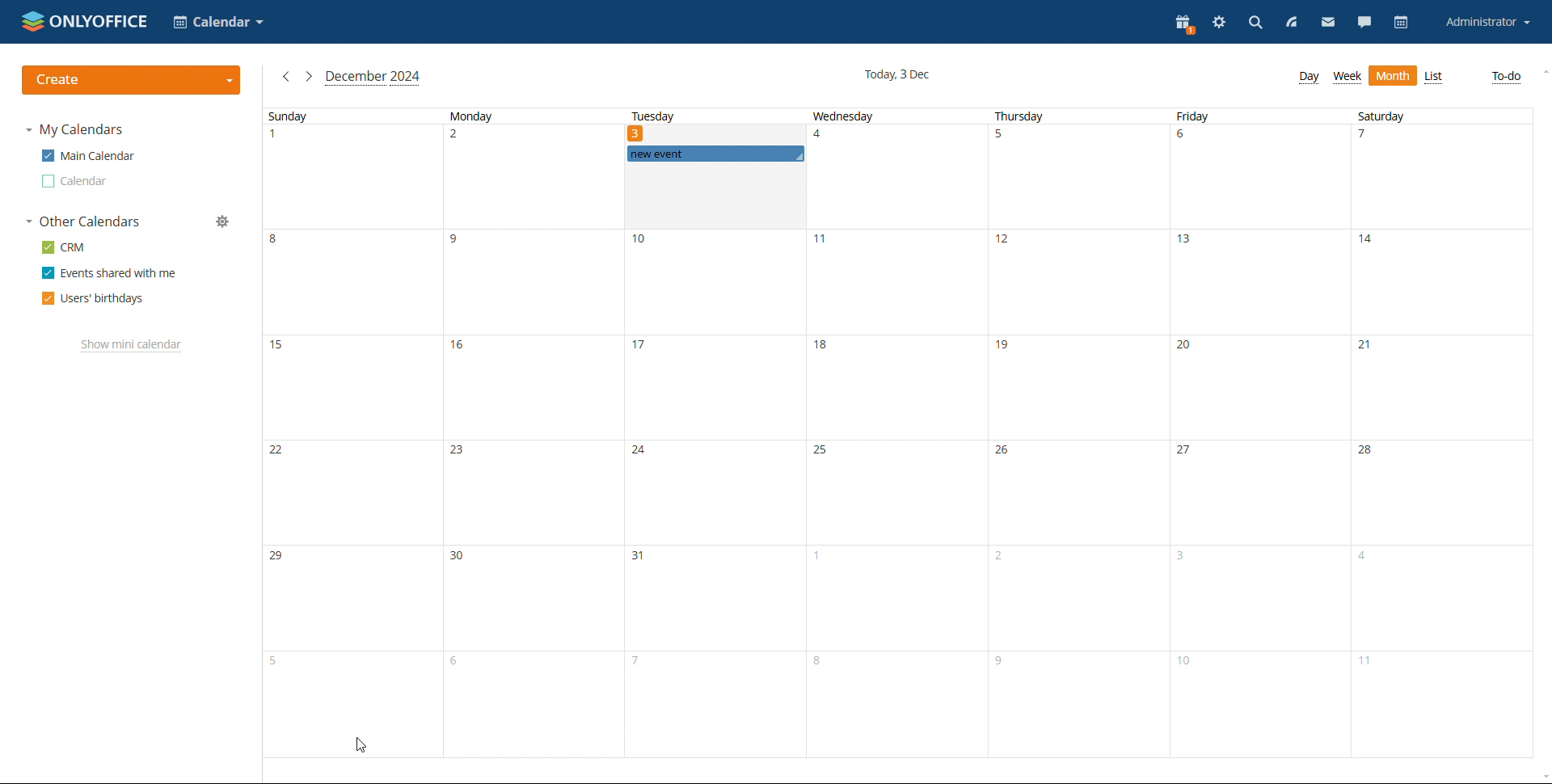  Describe the element at coordinates (715, 154) in the screenshot. I see `scheduled event` at that location.